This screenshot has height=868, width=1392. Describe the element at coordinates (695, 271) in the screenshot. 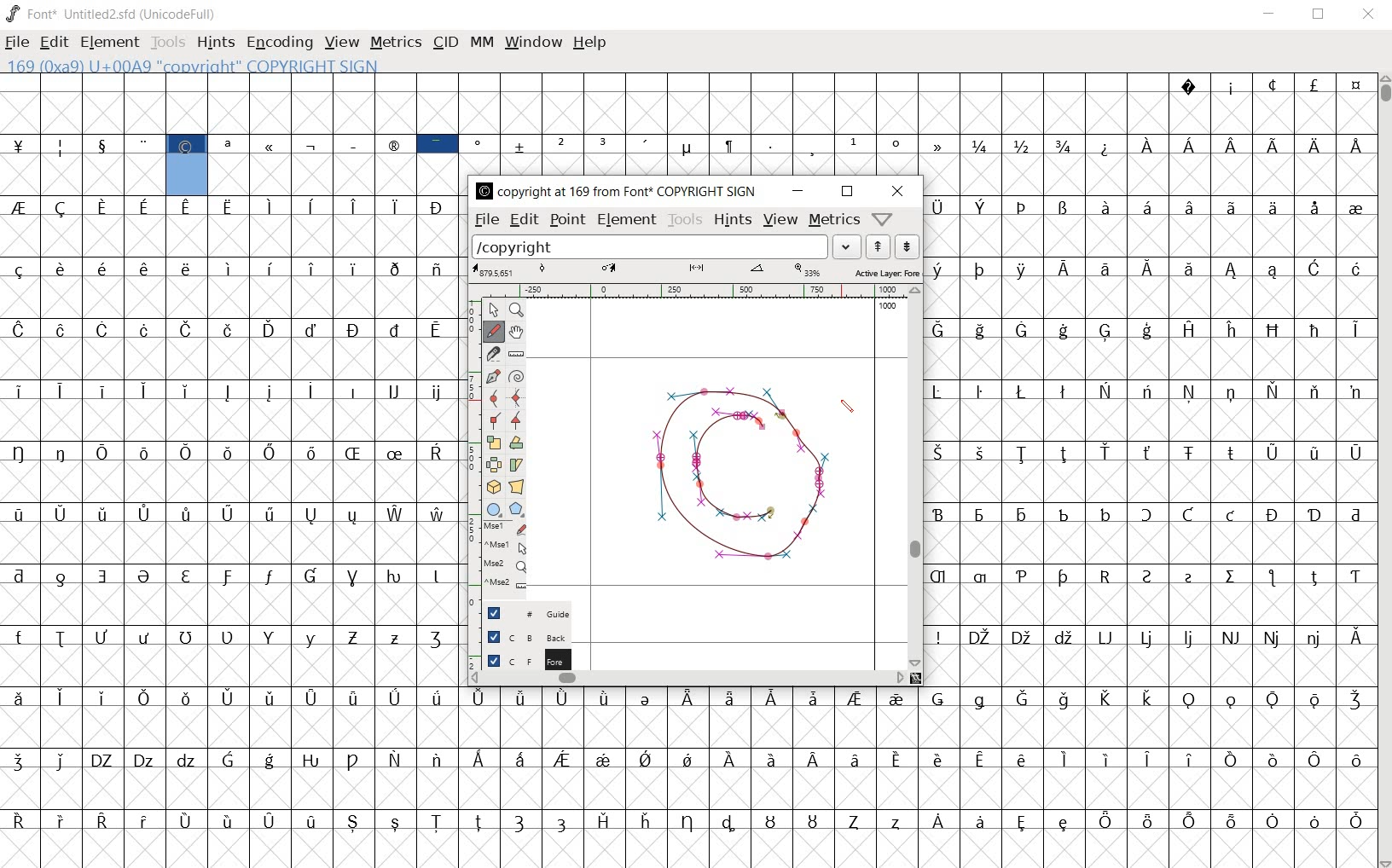

I see `active layer:FOREGROUND` at that location.